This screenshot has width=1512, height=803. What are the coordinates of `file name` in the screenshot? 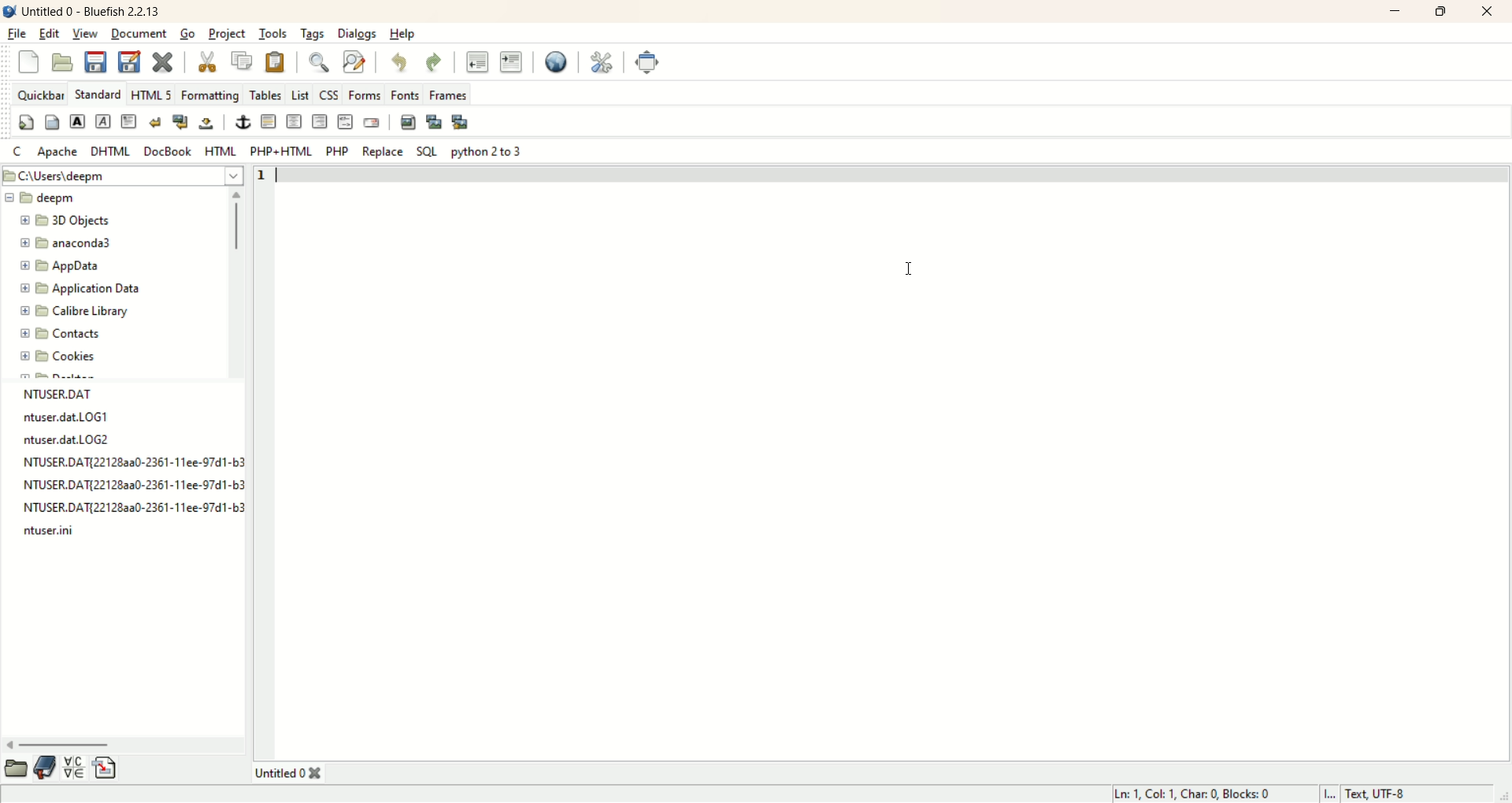 It's located at (132, 485).